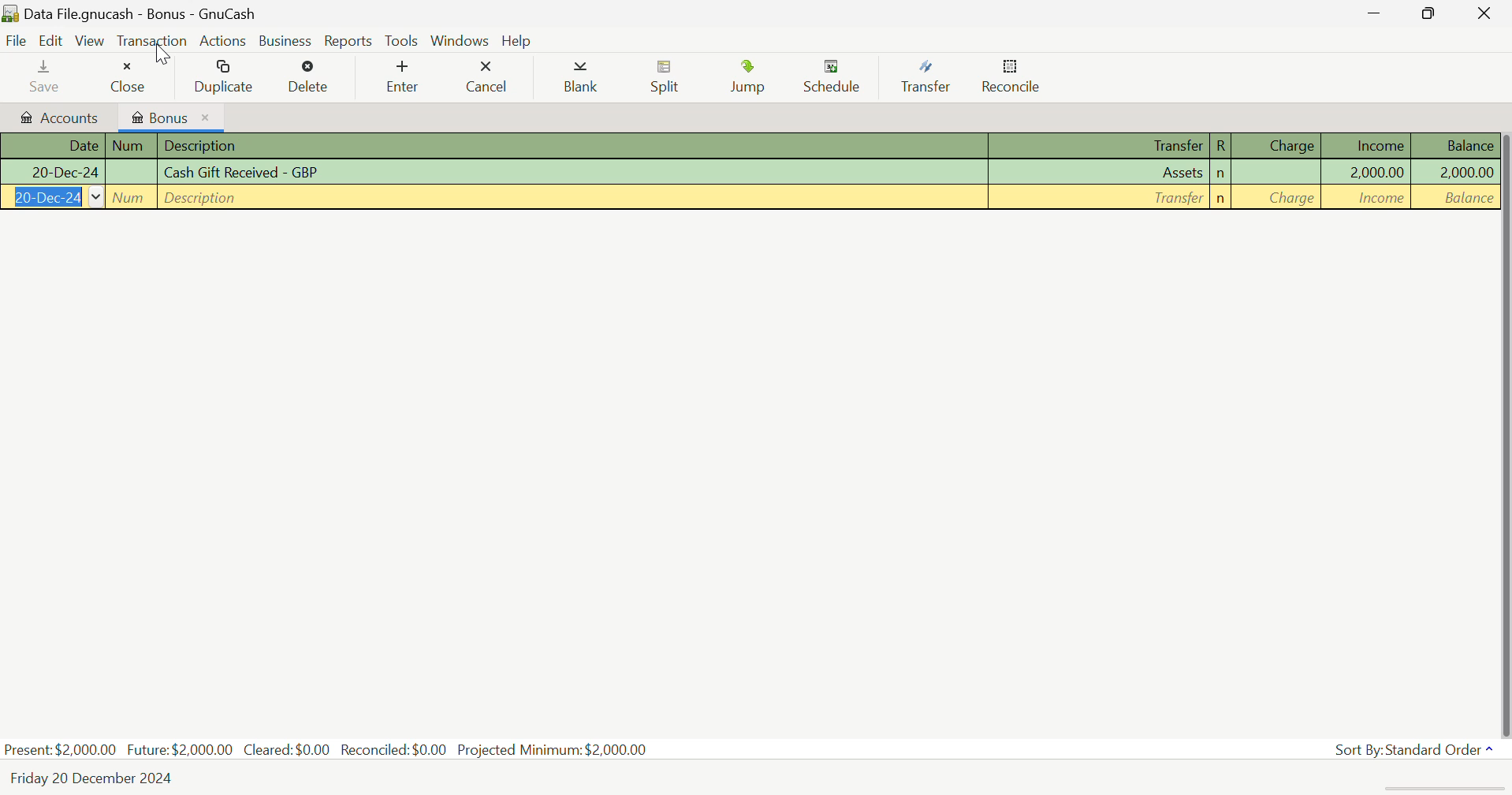 The width and height of the screenshot is (1512, 795). I want to click on n, so click(1221, 174).